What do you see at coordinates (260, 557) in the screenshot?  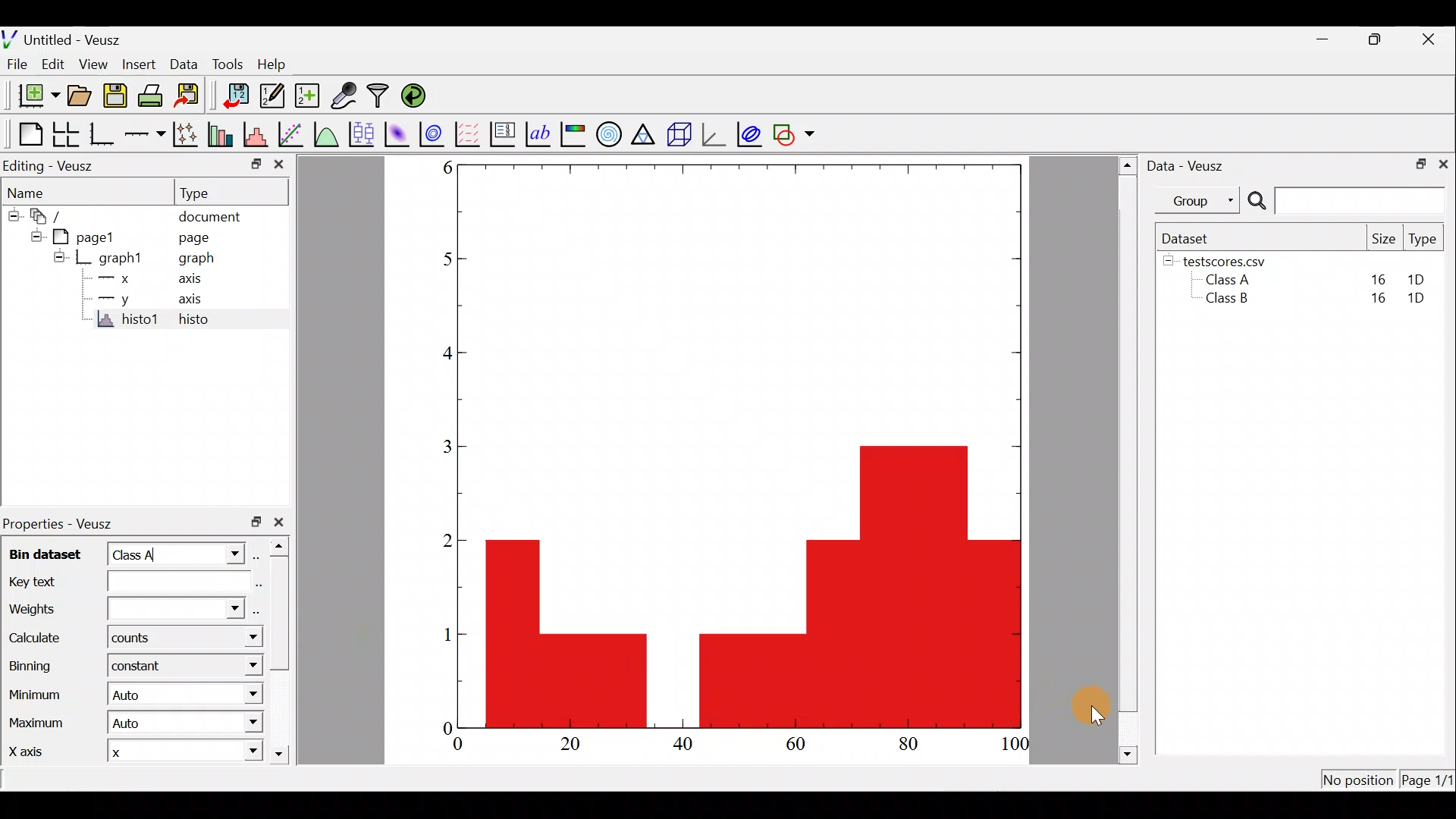 I see `select using dataset browser` at bounding box center [260, 557].